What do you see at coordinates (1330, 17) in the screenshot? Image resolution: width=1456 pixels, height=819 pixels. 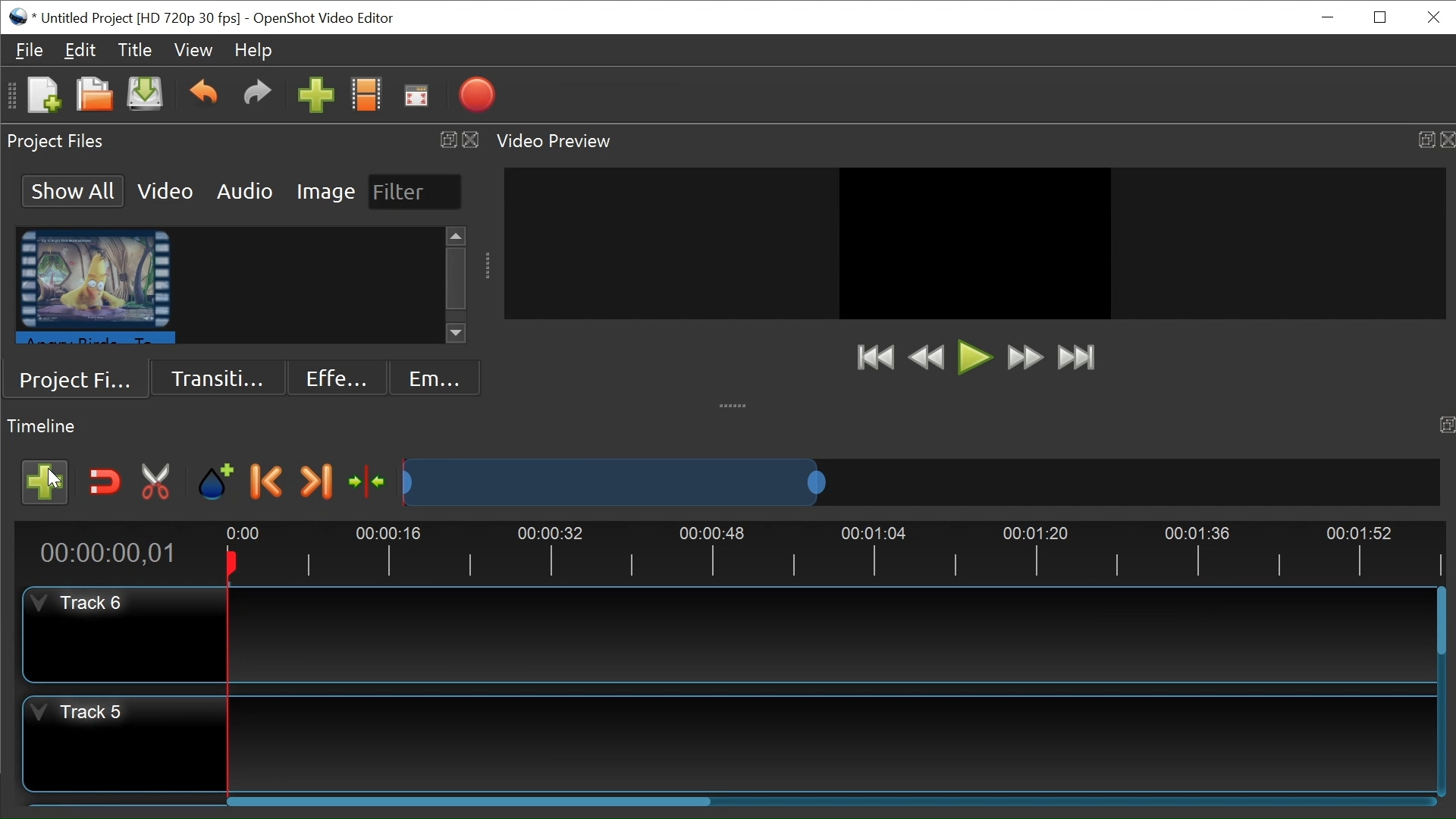 I see `minimize` at bounding box center [1330, 17].